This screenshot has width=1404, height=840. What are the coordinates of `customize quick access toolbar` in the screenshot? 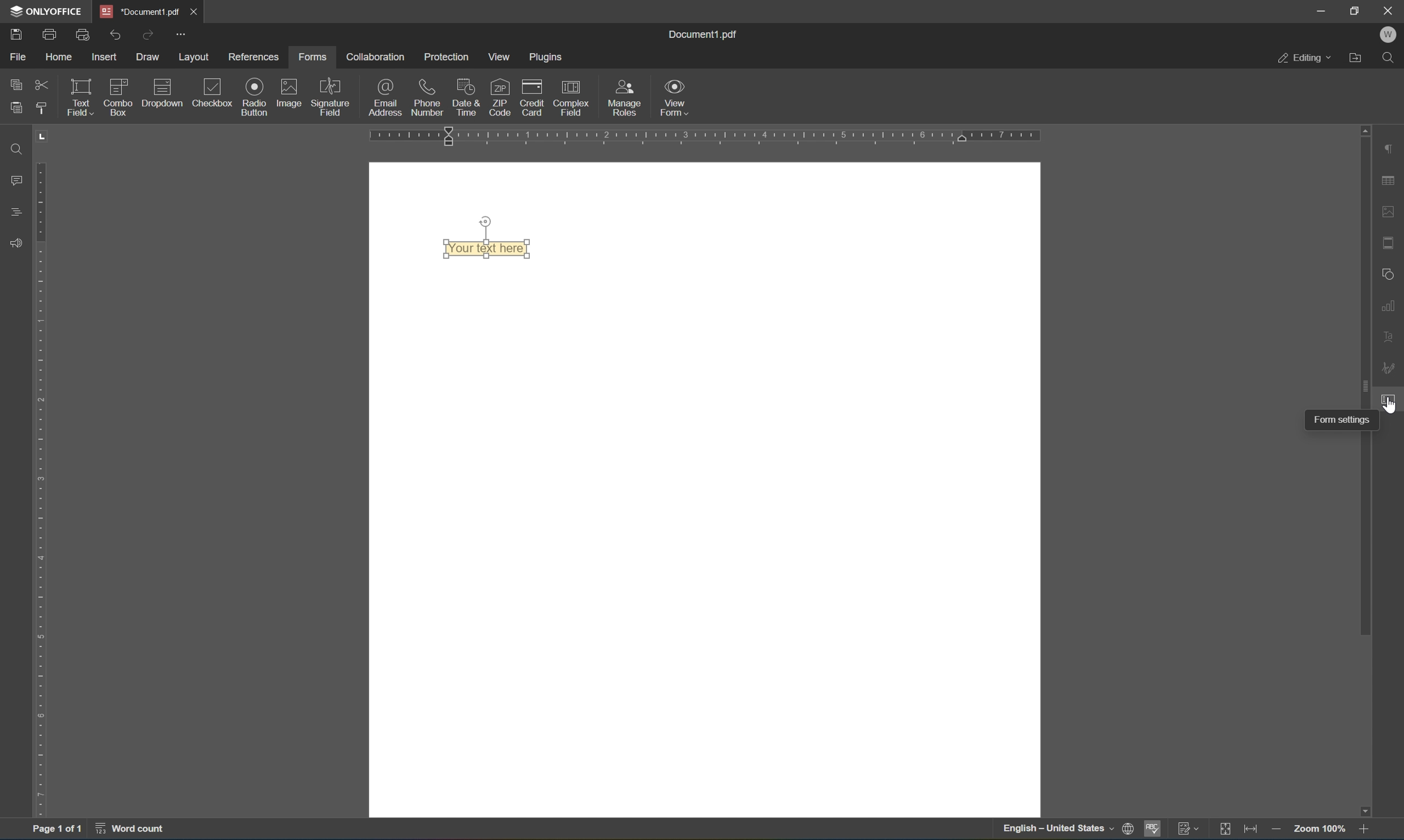 It's located at (182, 34).